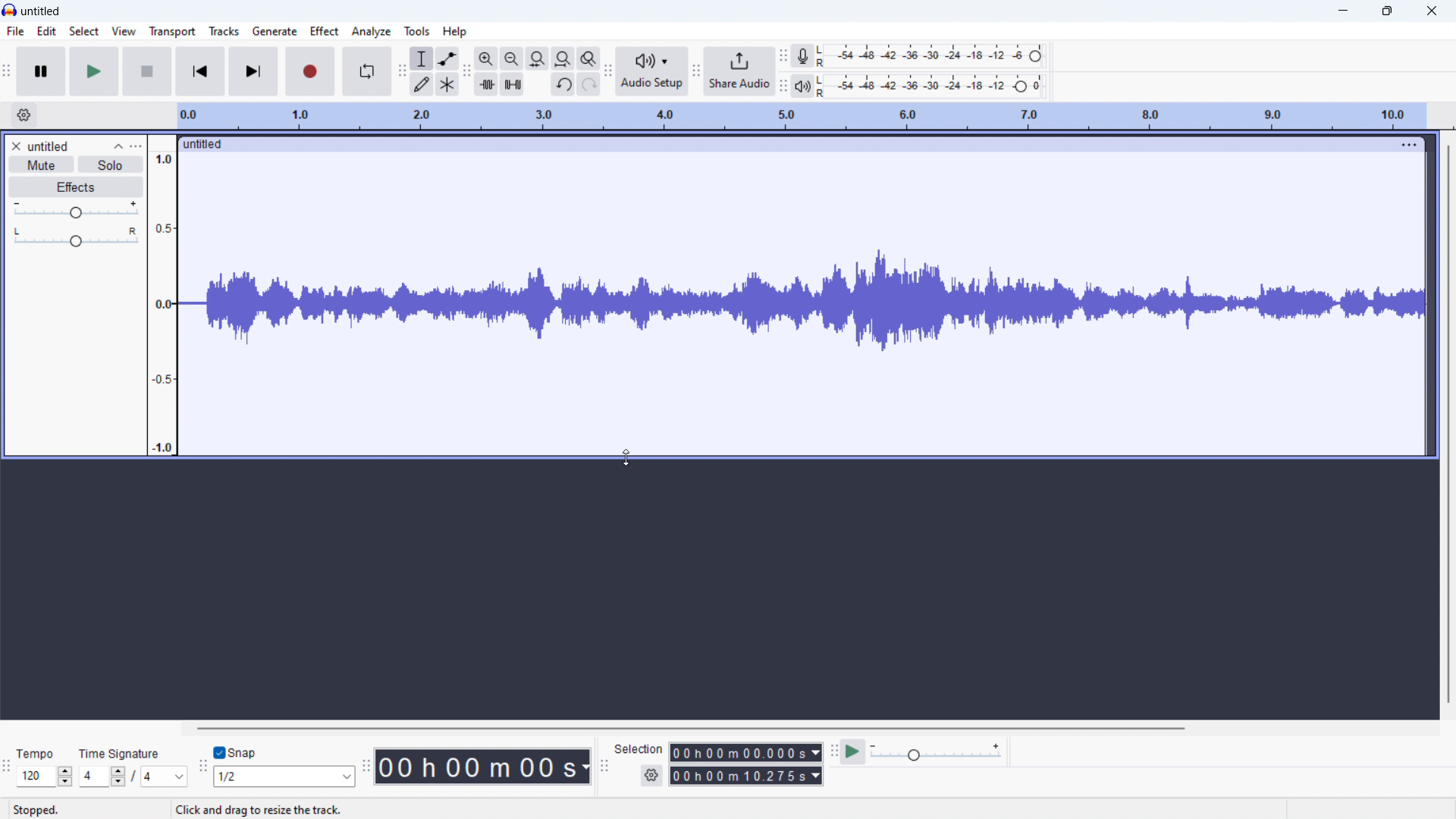 The height and width of the screenshot is (819, 1456). I want to click on selection settings, so click(652, 775).